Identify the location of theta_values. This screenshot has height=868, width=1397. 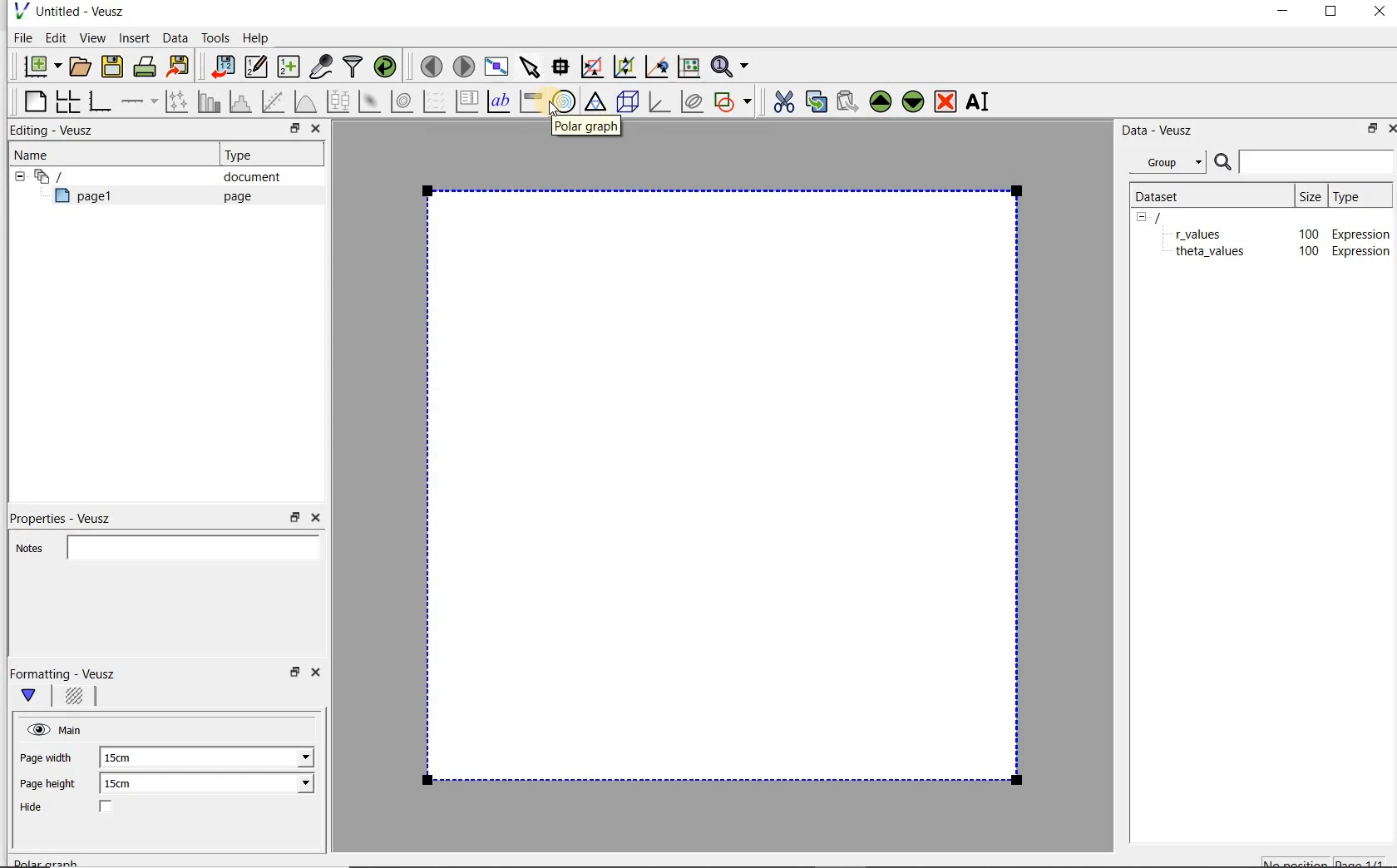
(1212, 234).